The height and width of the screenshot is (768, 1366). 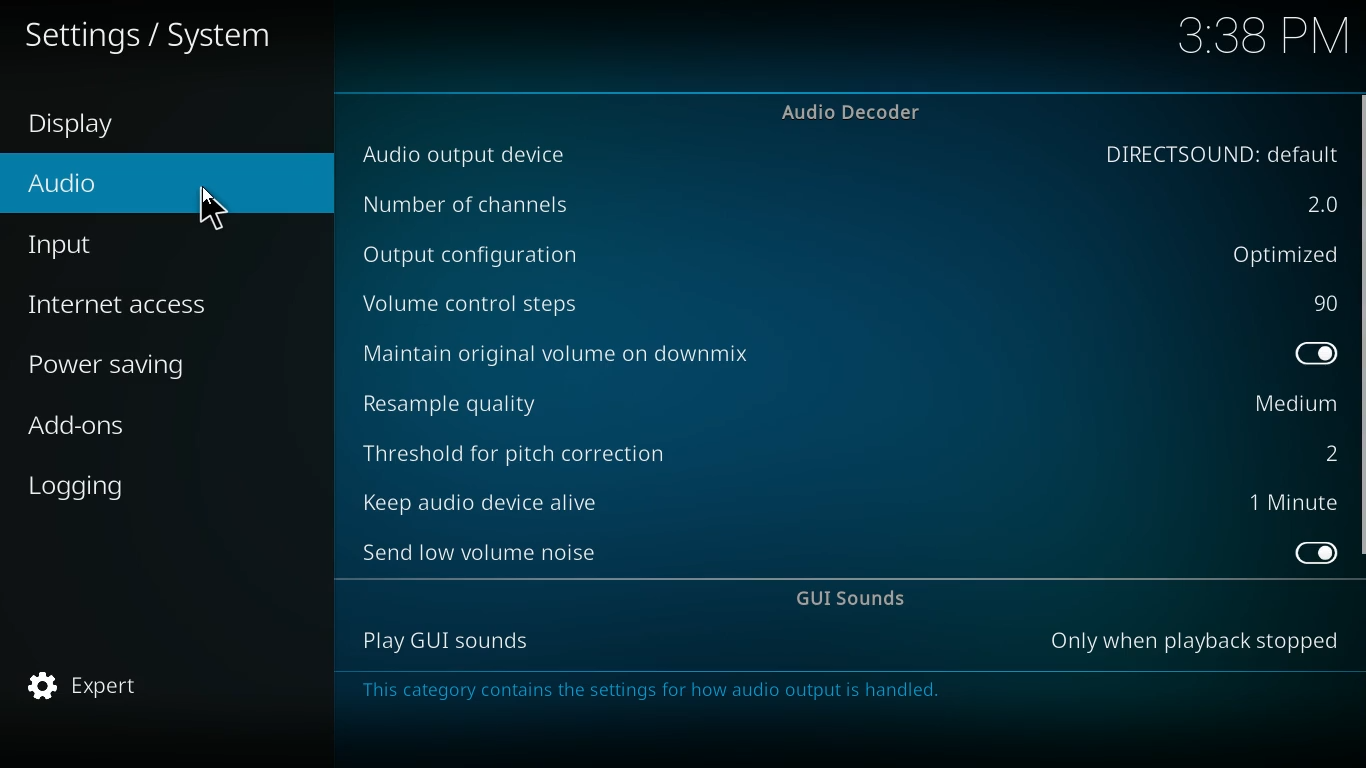 I want to click on add-ons, so click(x=143, y=430).